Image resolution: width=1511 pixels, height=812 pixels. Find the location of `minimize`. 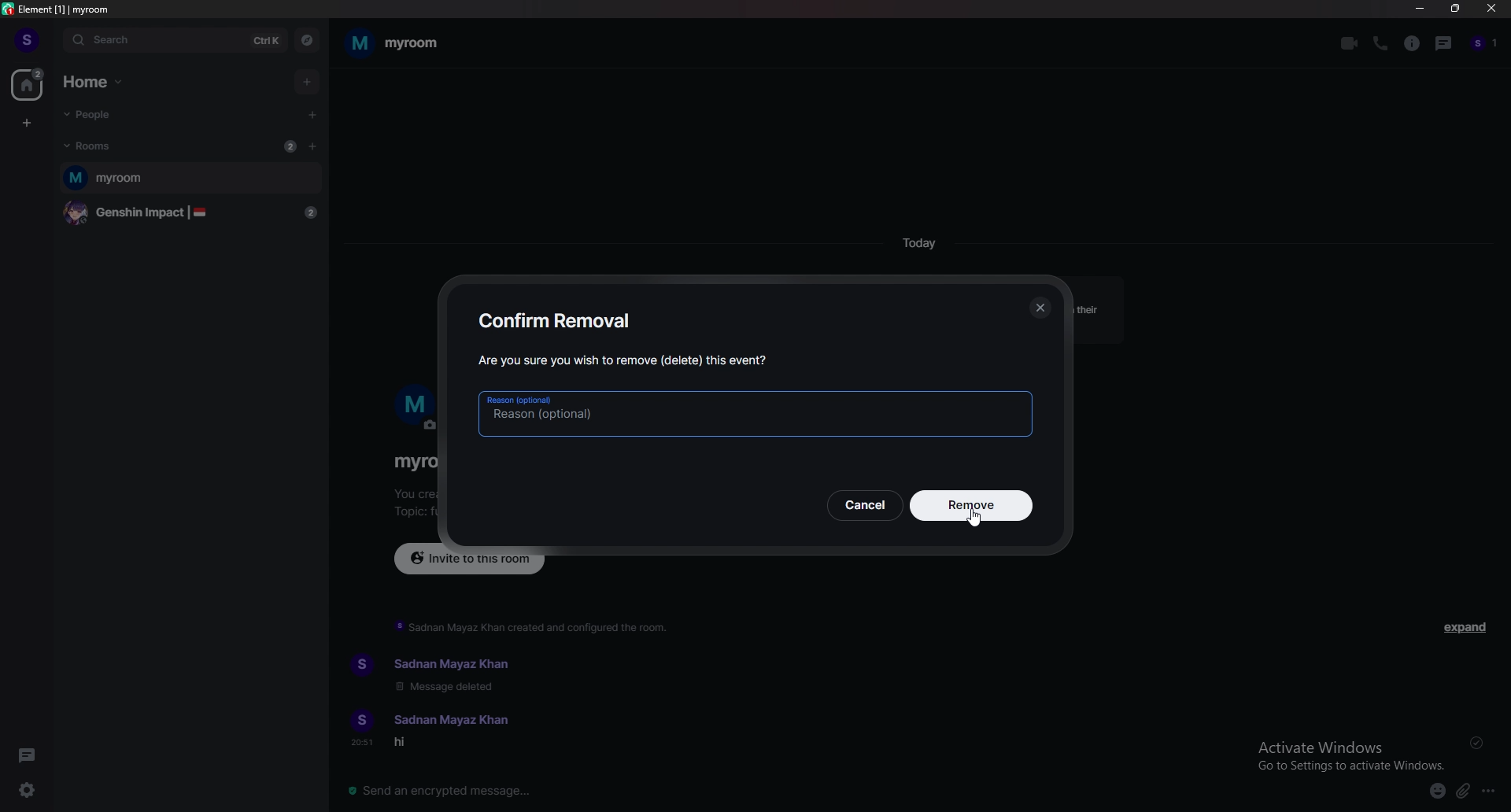

minimize is located at coordinates (1419, 9).